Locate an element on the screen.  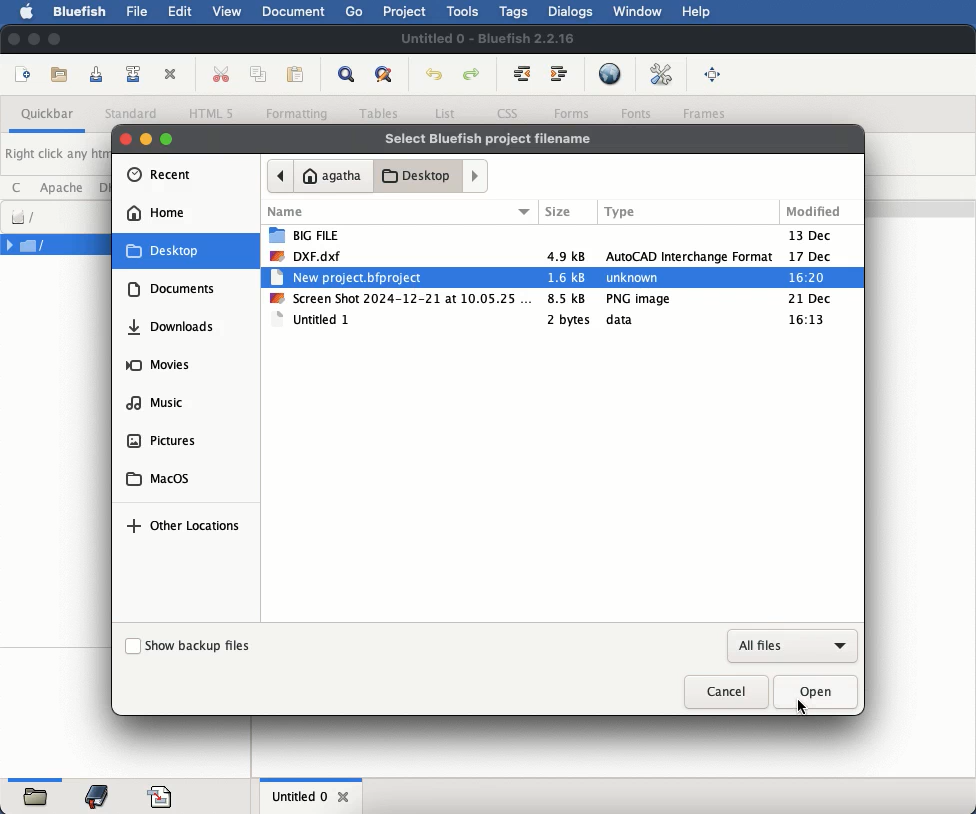
minimise is located at coordinates (146, 137).